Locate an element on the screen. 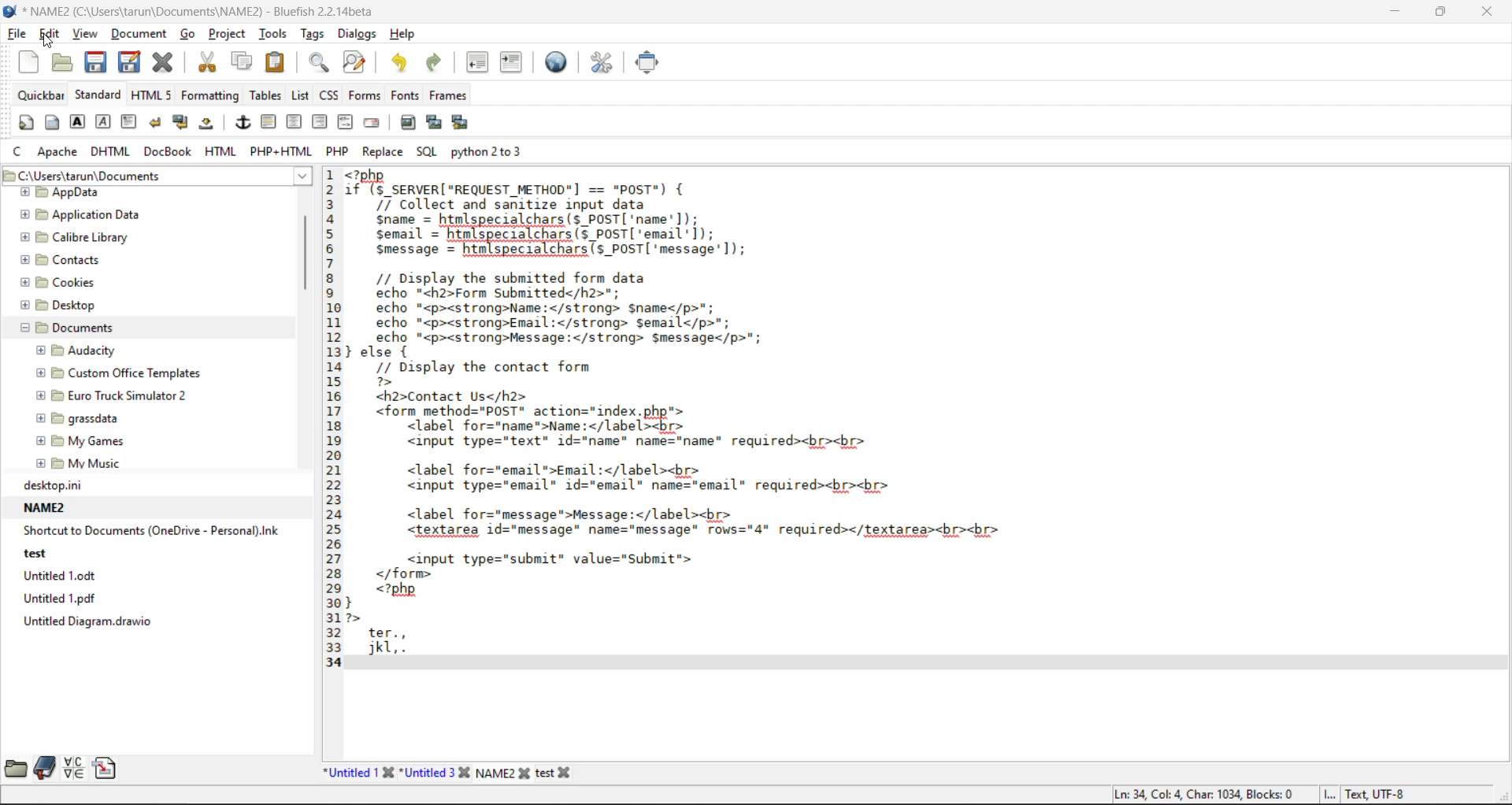 The height and width of the screenshot is (805, 1512). line number is located at coordinates (331, 418).